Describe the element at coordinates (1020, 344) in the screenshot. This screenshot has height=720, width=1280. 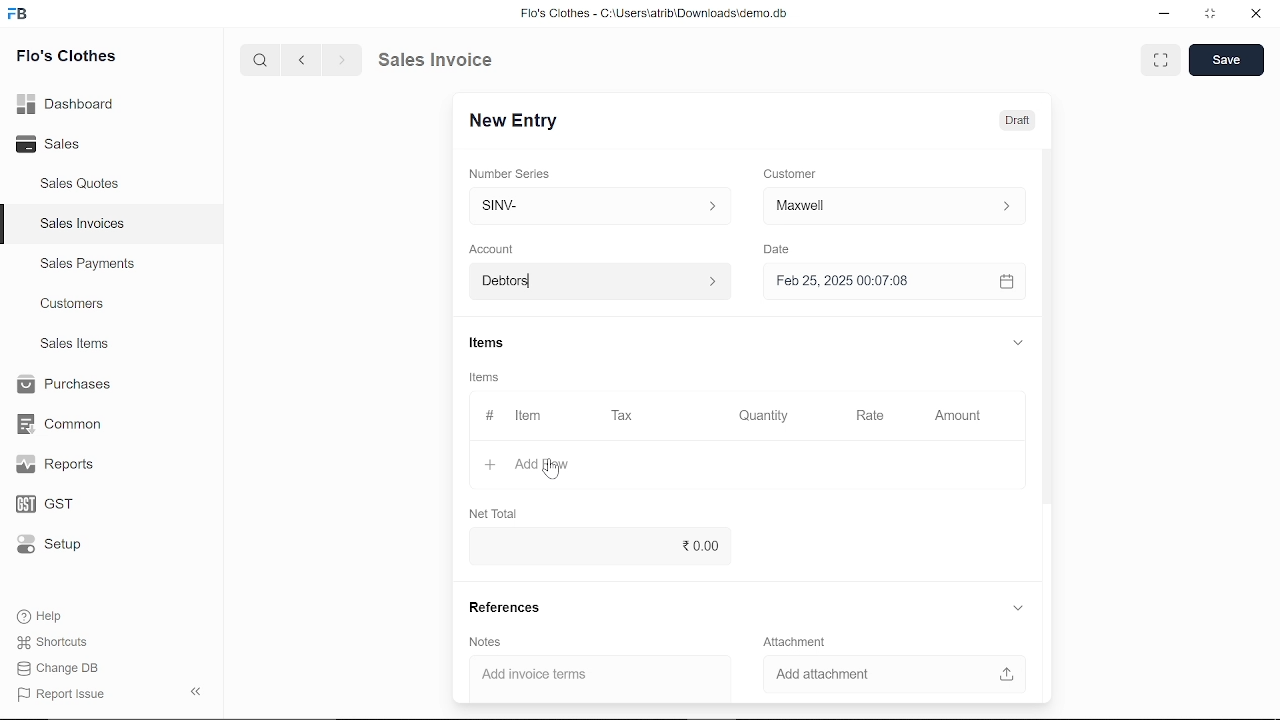
I see `expand` at that location.